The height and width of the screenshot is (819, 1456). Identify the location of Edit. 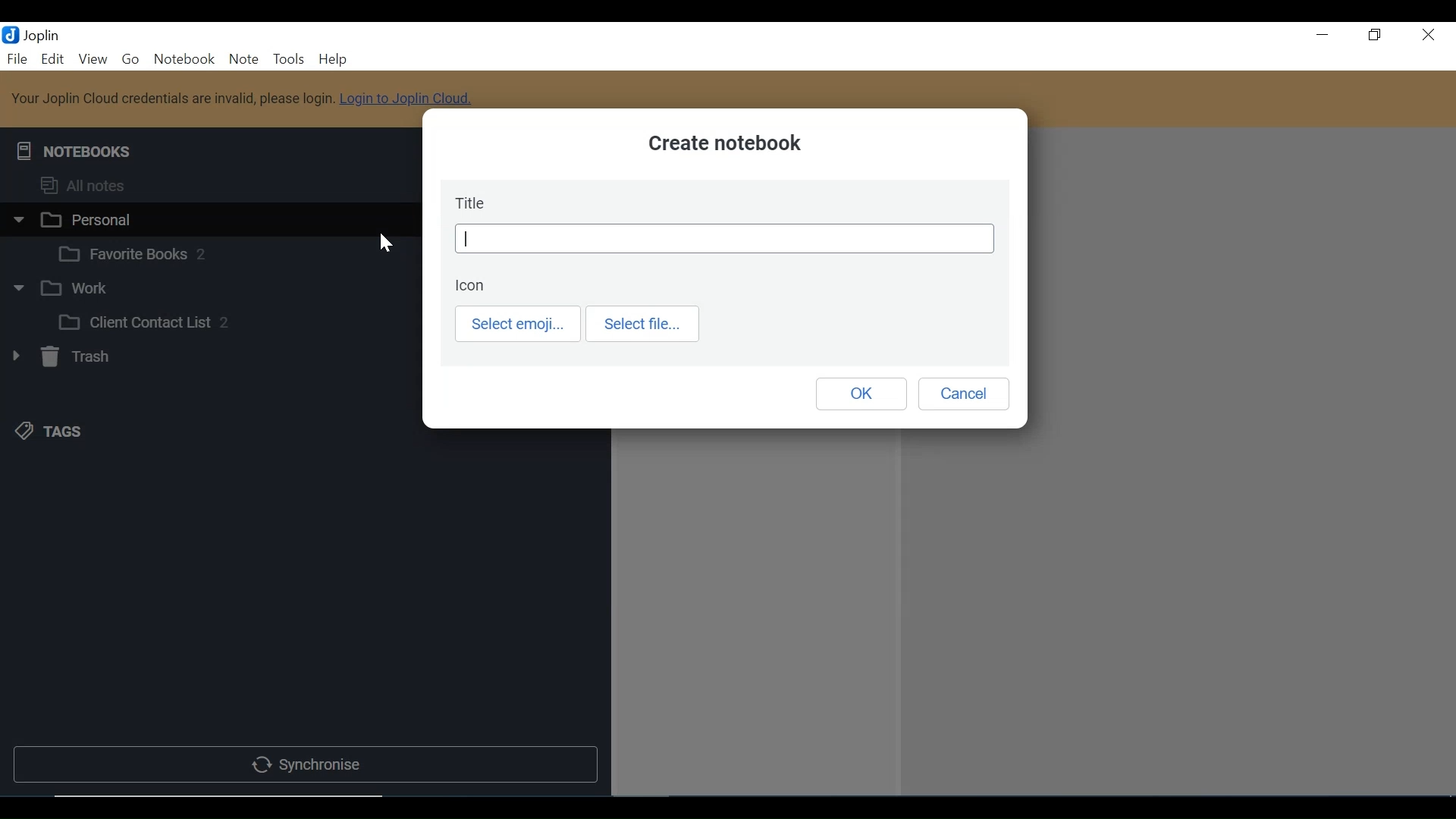
(53, 60).